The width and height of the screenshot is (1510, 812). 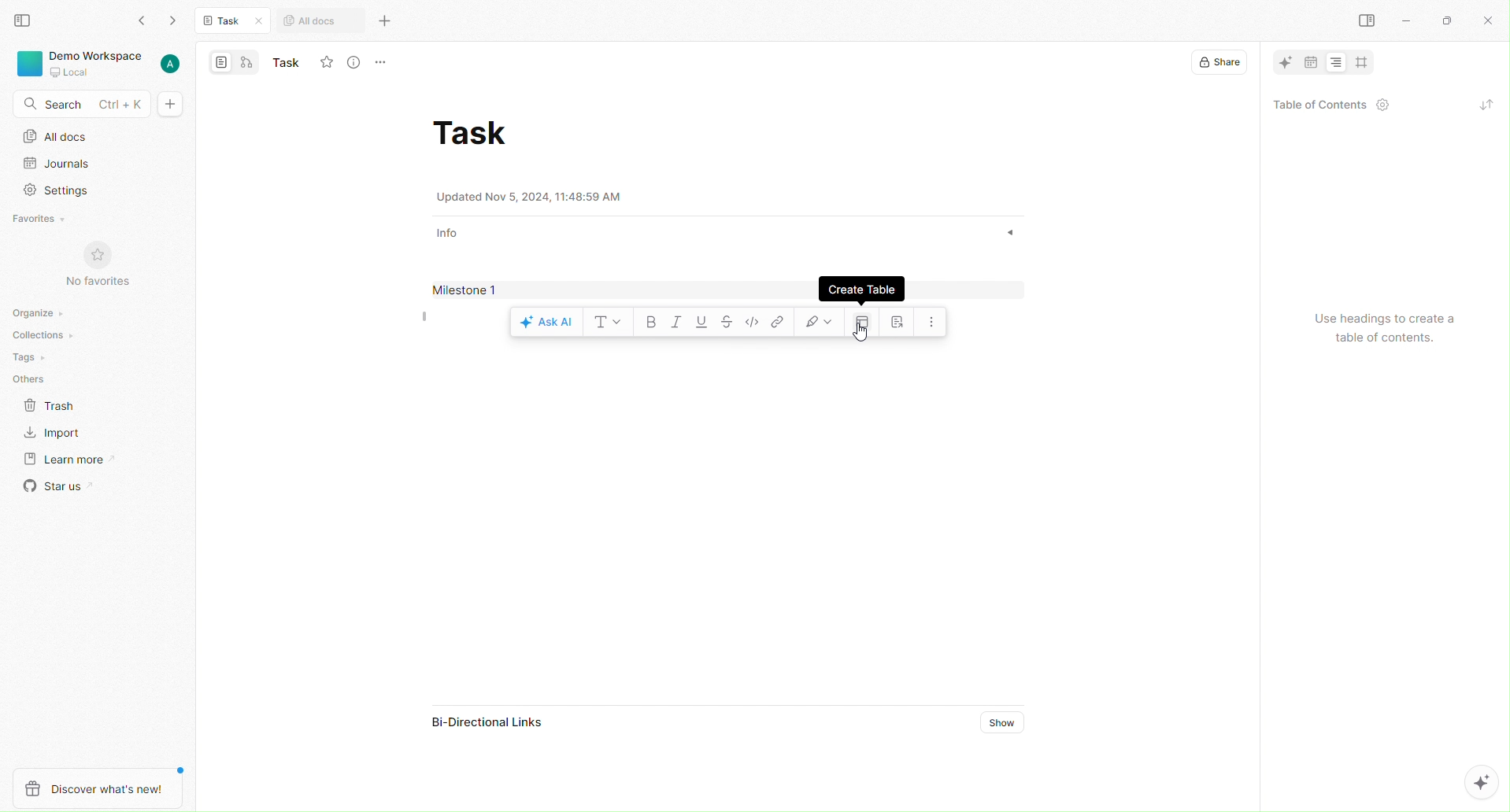 I want to click on No Favorites, so click(x=91, y=267).